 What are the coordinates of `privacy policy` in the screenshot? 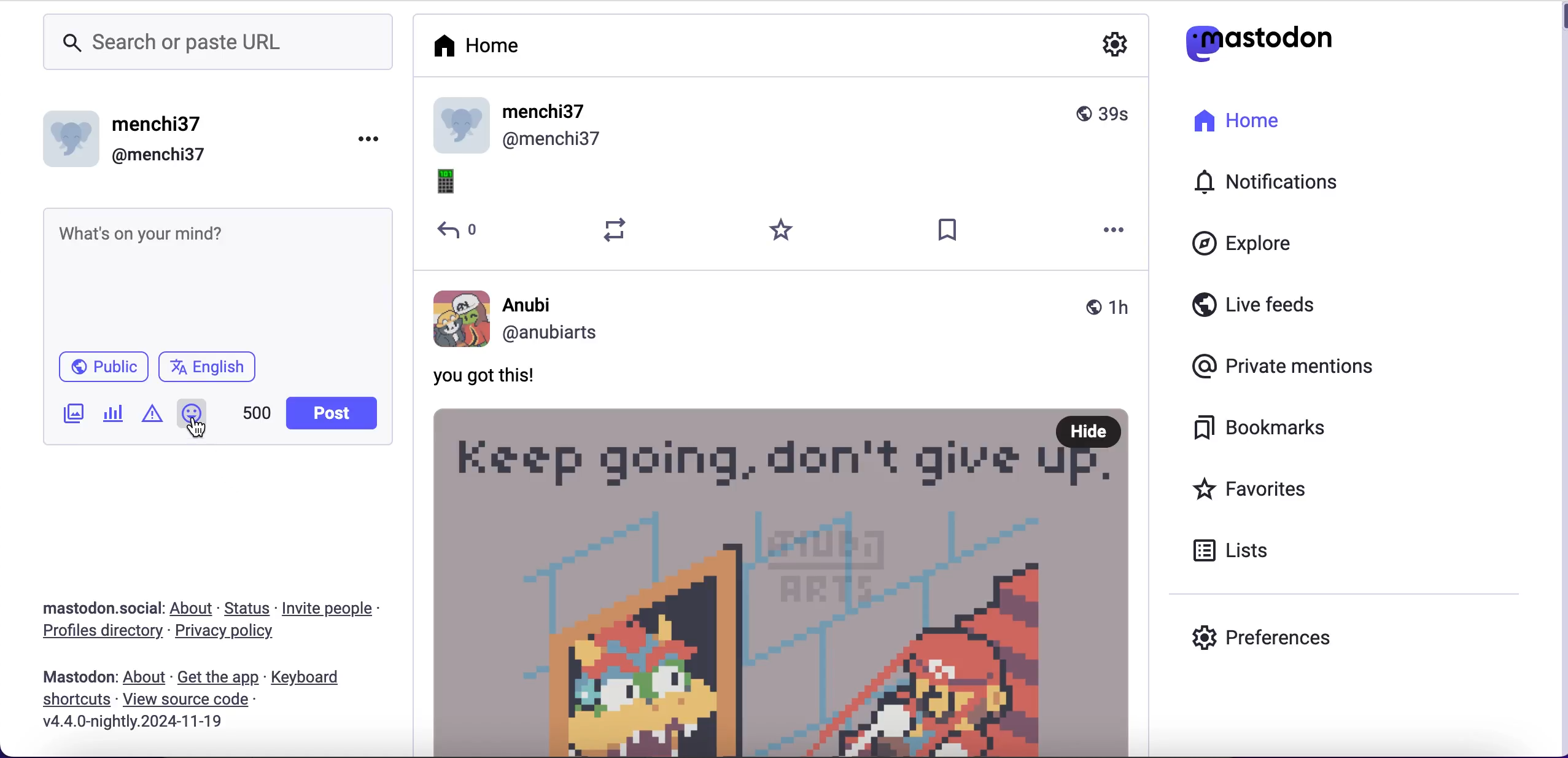 It's located at (235, 633).